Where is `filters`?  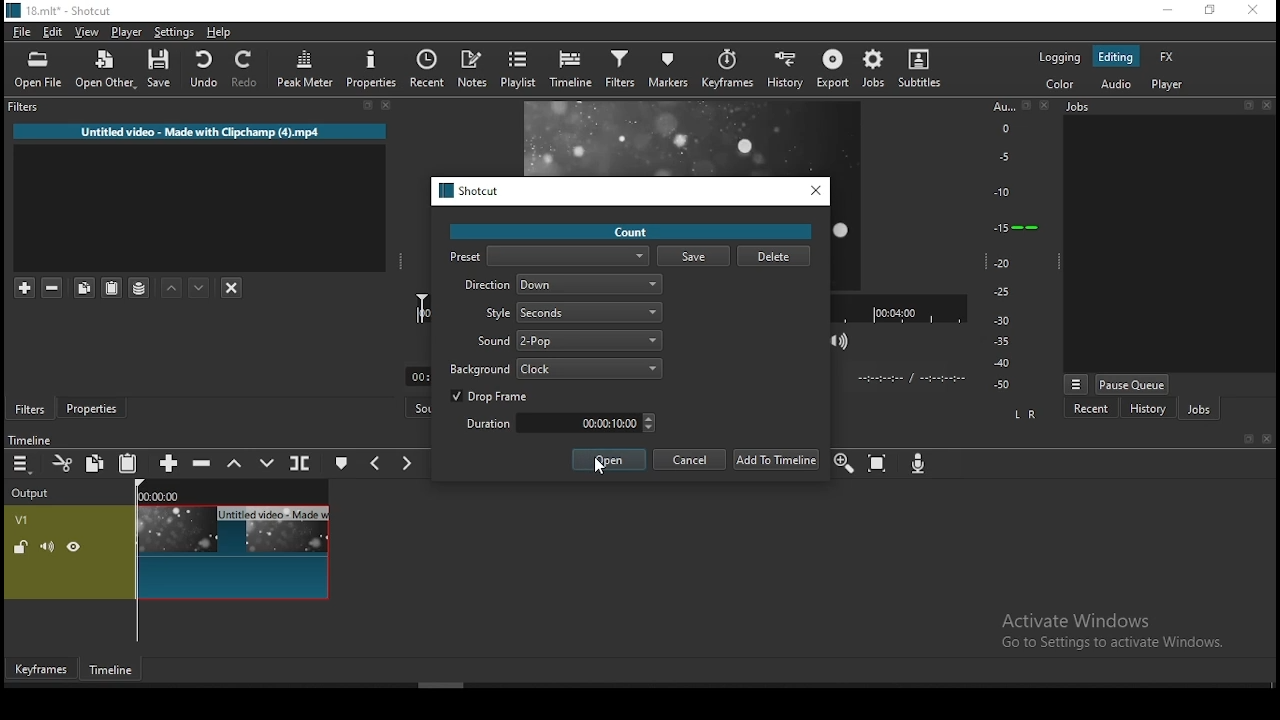
filters is located at coordinates (198, 111).